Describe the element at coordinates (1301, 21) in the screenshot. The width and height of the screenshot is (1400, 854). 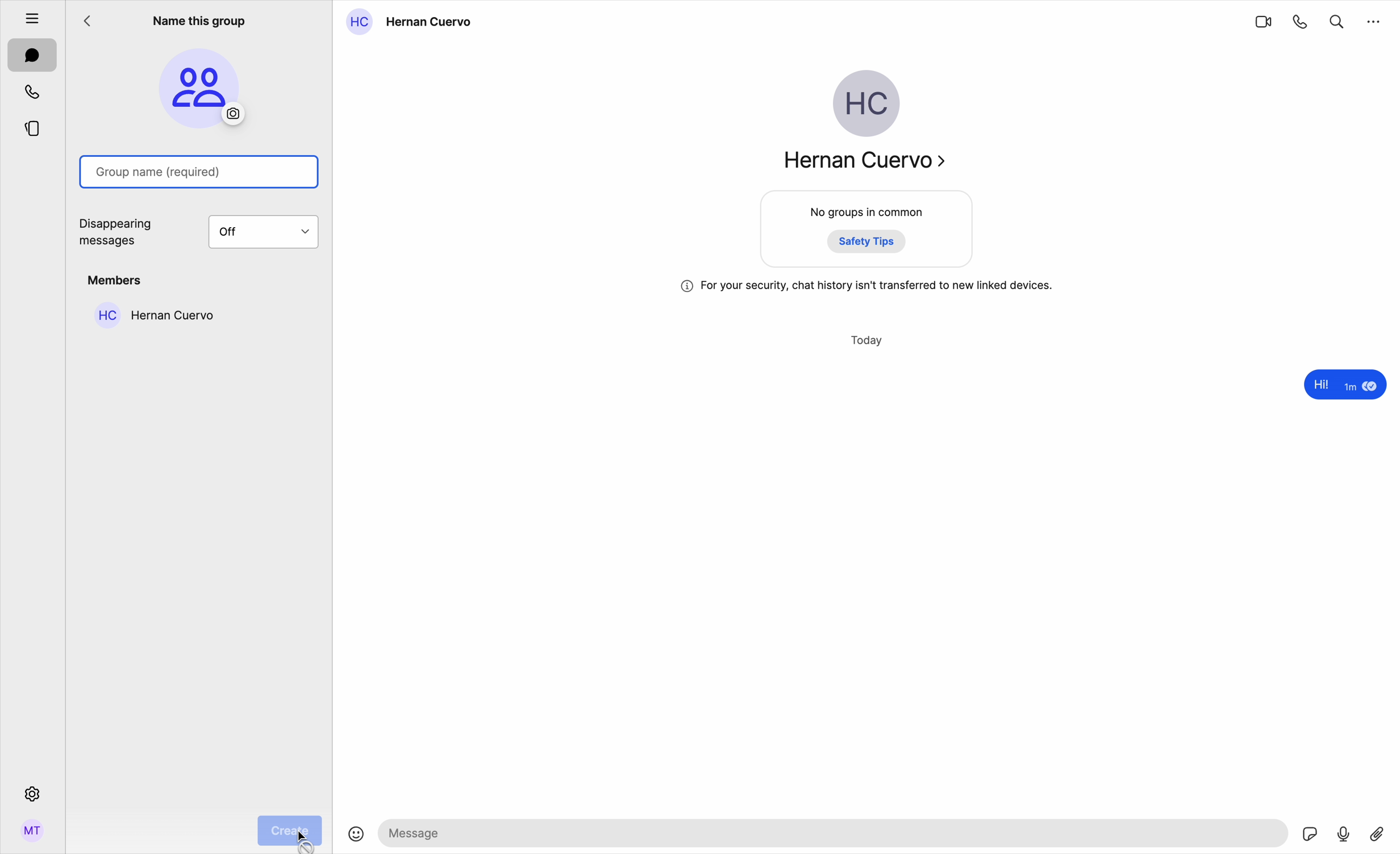
I see `call` at that location.